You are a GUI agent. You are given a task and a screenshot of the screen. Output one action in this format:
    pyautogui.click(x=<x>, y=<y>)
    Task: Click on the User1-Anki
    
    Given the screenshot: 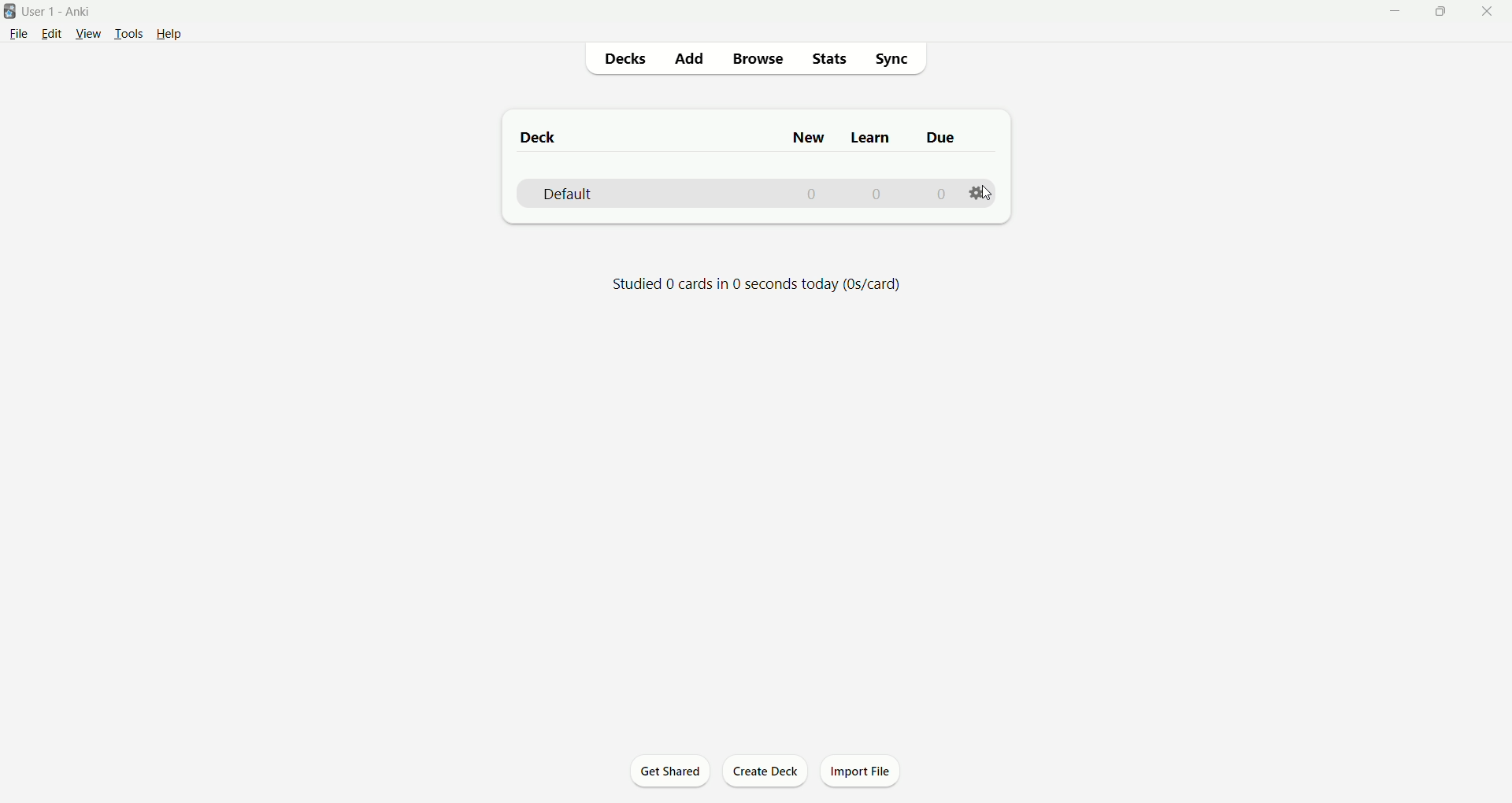 What is the action you would take?
    pyautogui.click(x=65, y=12)
    